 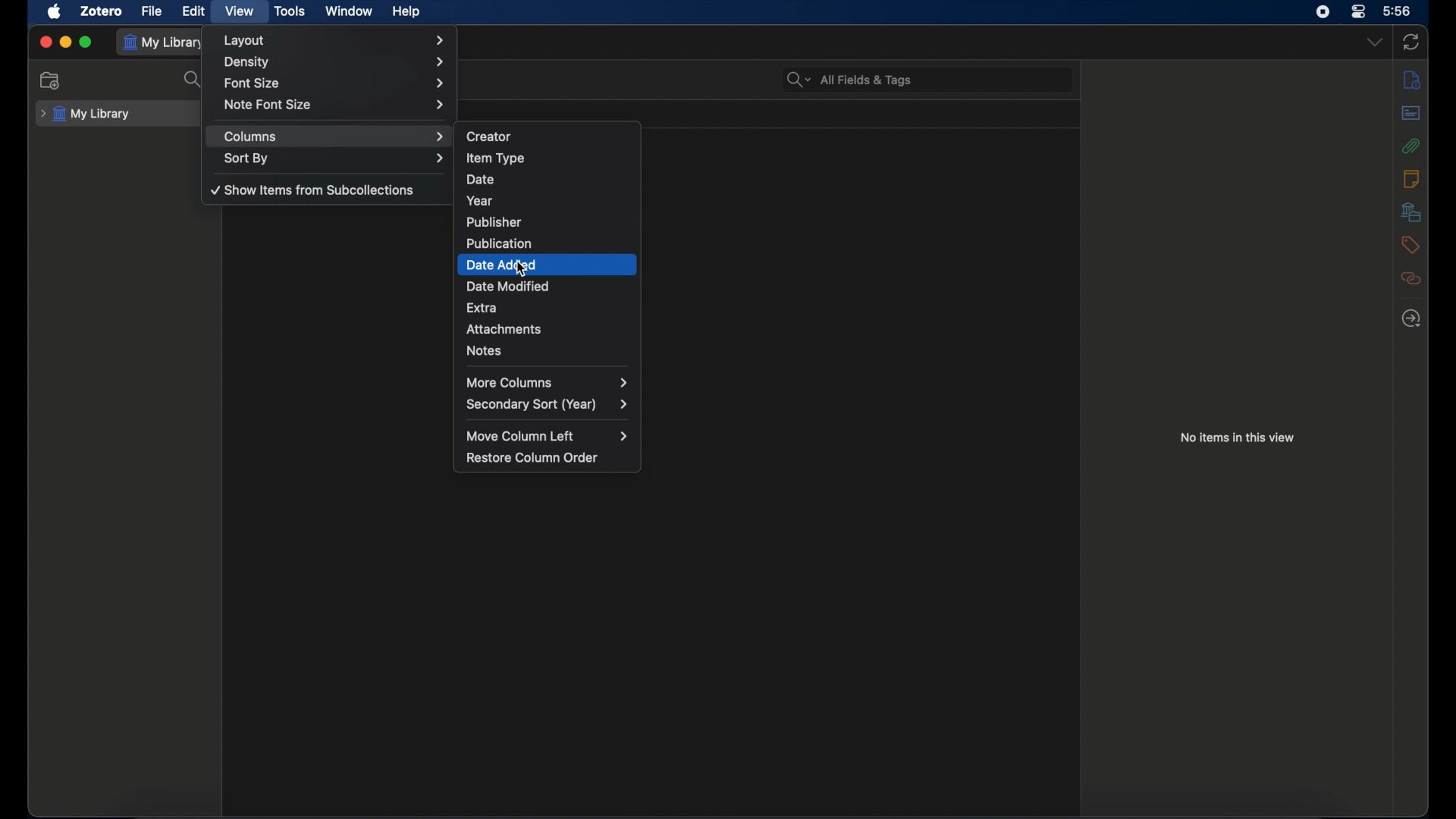 I want to click on maximize, so click(x=86, y=42).